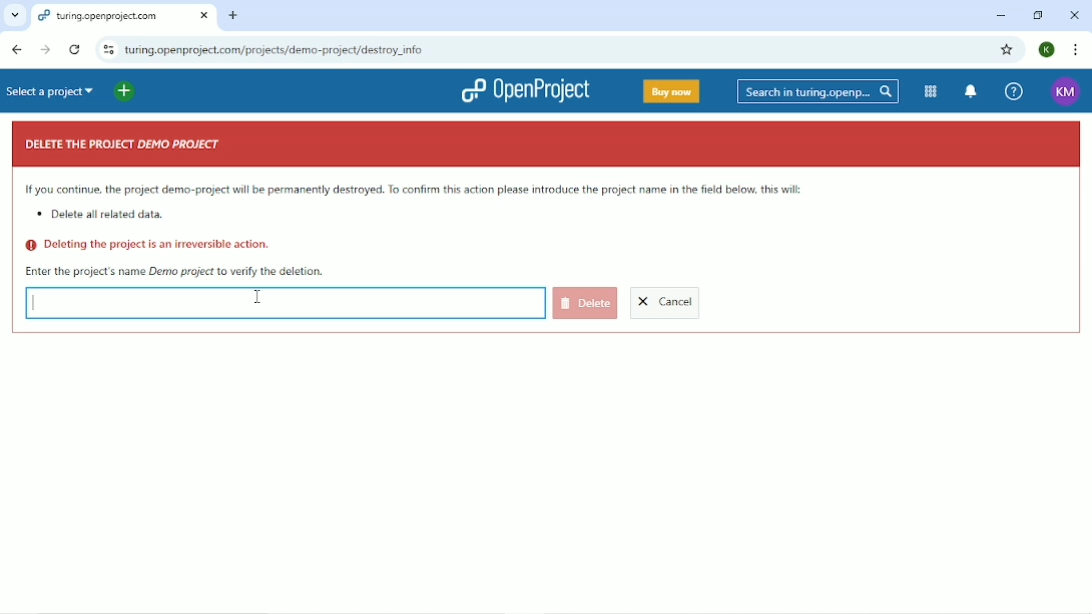 The image size is (1092, 614). What do you see at coordinates (122, 17) in the screenshot?
I see `turing.openproject.com` at bounding box center [122, 17].